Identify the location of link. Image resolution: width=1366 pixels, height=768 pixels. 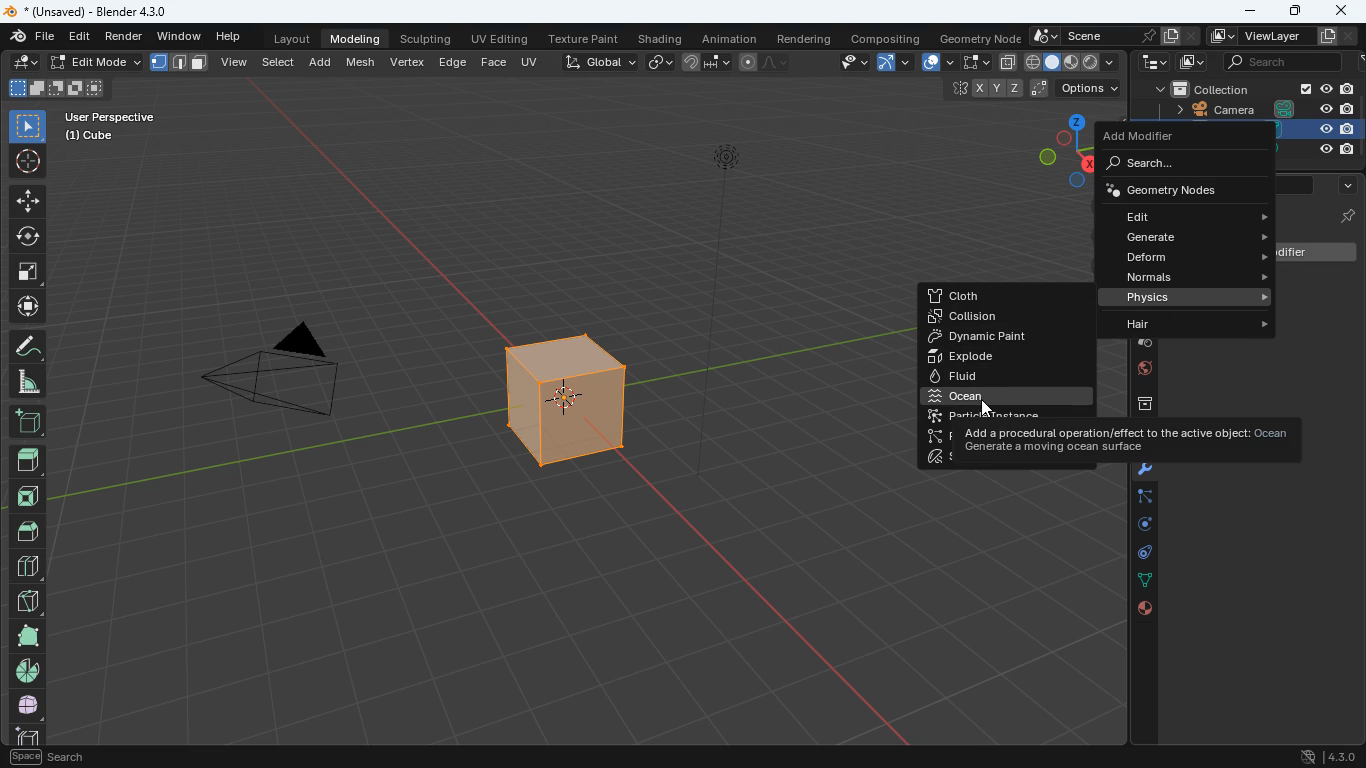
(660, 63).